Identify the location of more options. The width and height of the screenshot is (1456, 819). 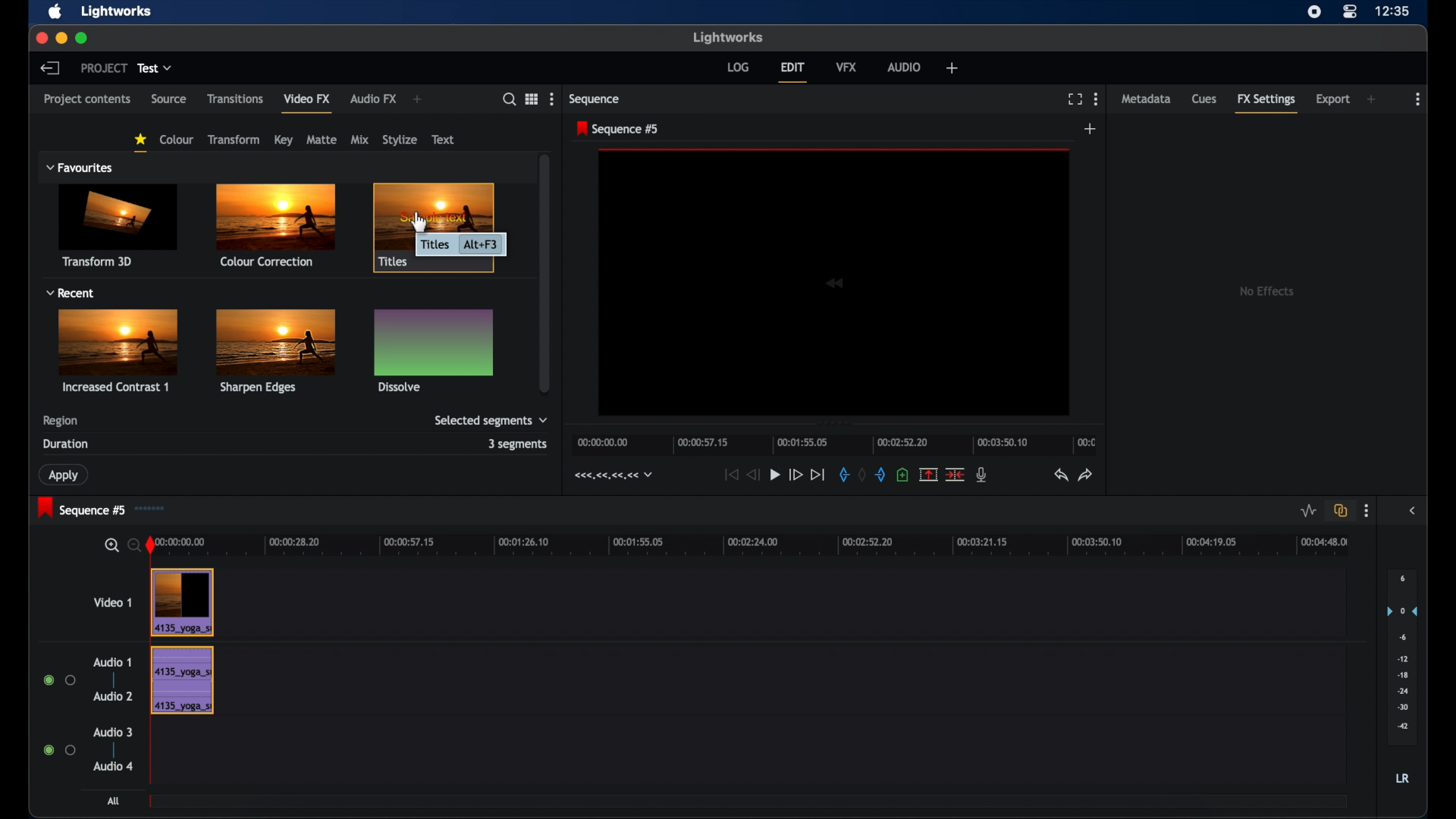
(1419, 99).